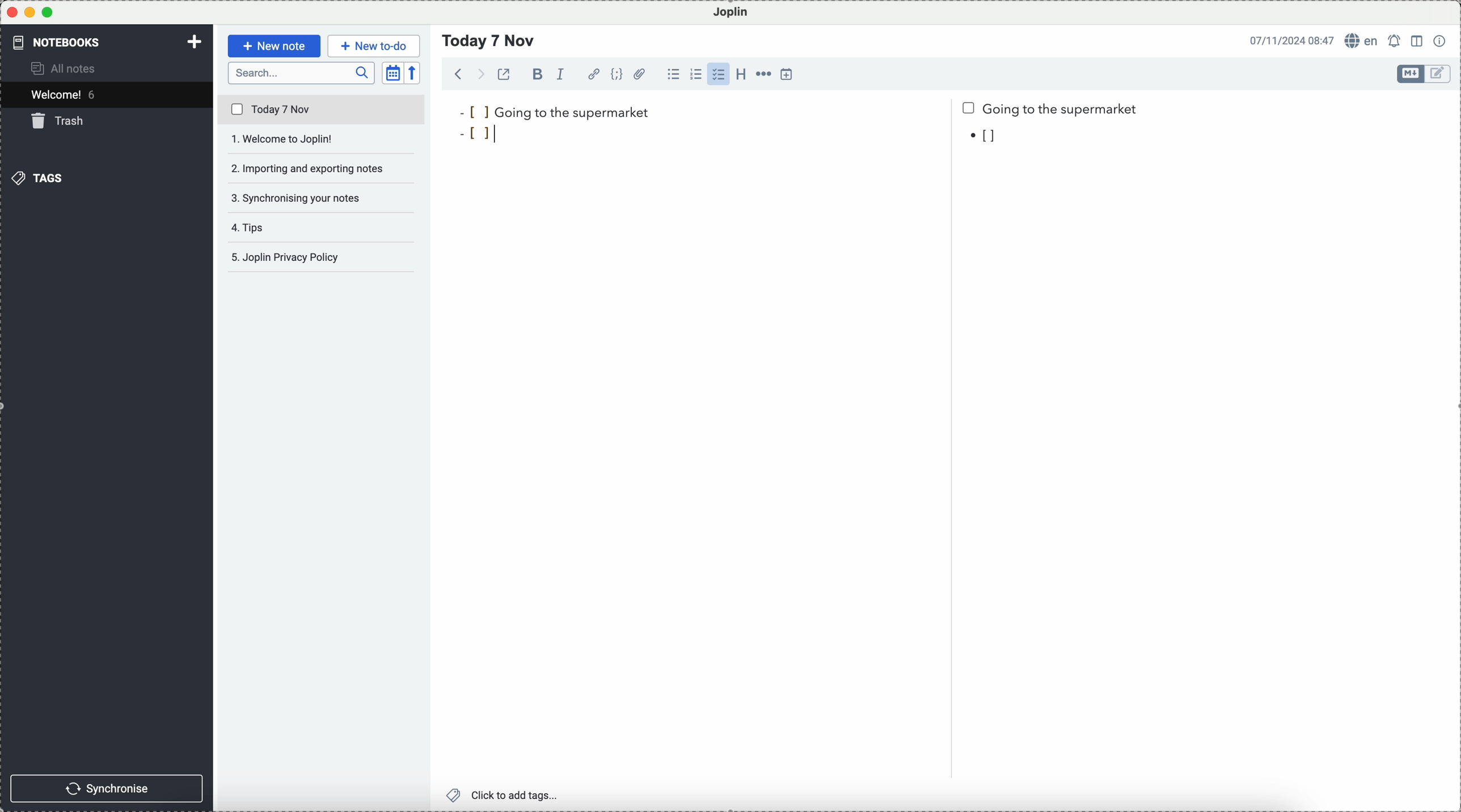 This screenshot has width=1461, height=812. I want to click on checkbox, so click(718, 74).